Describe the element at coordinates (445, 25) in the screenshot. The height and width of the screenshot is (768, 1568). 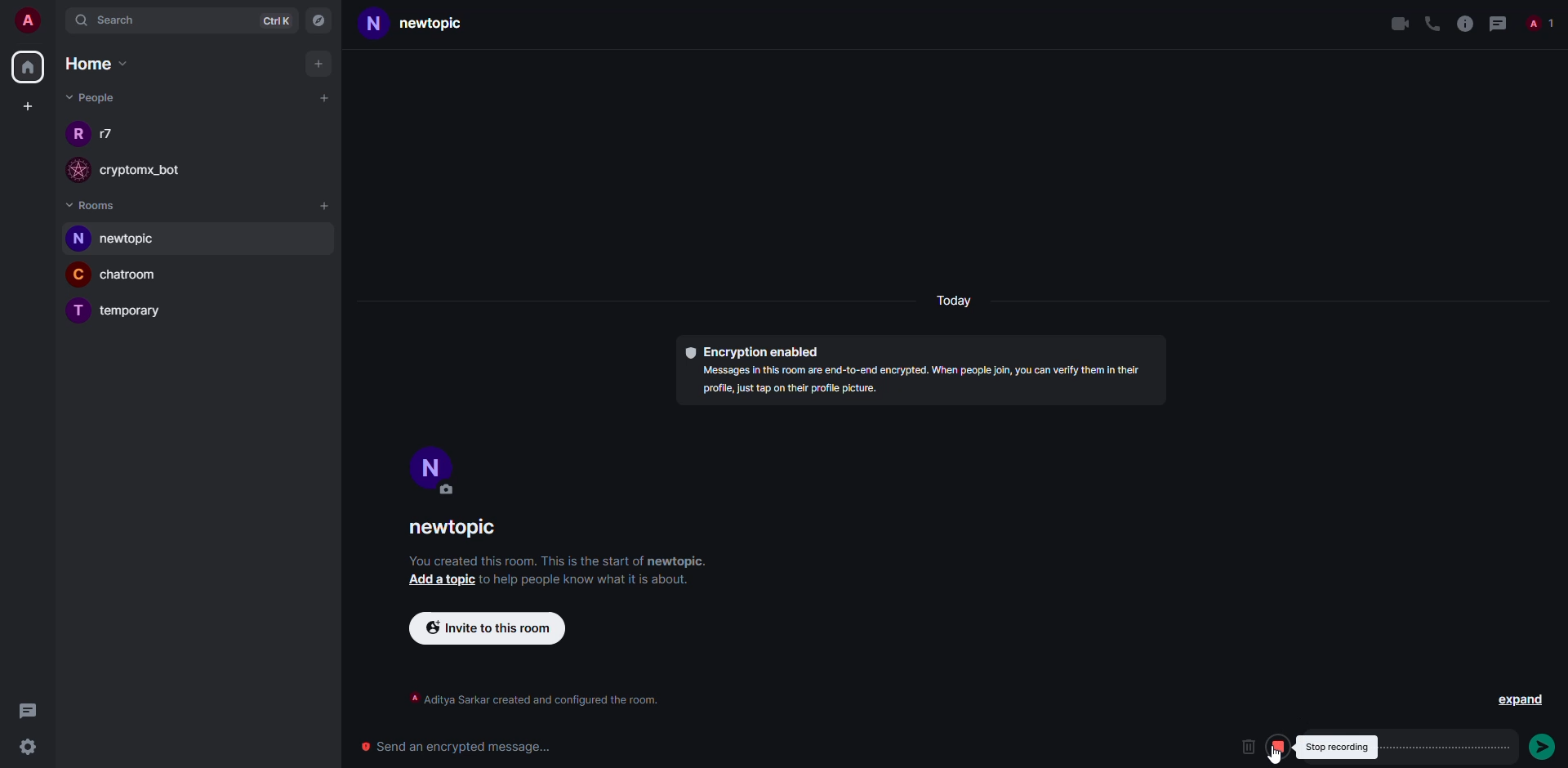
I see `room` at that location.